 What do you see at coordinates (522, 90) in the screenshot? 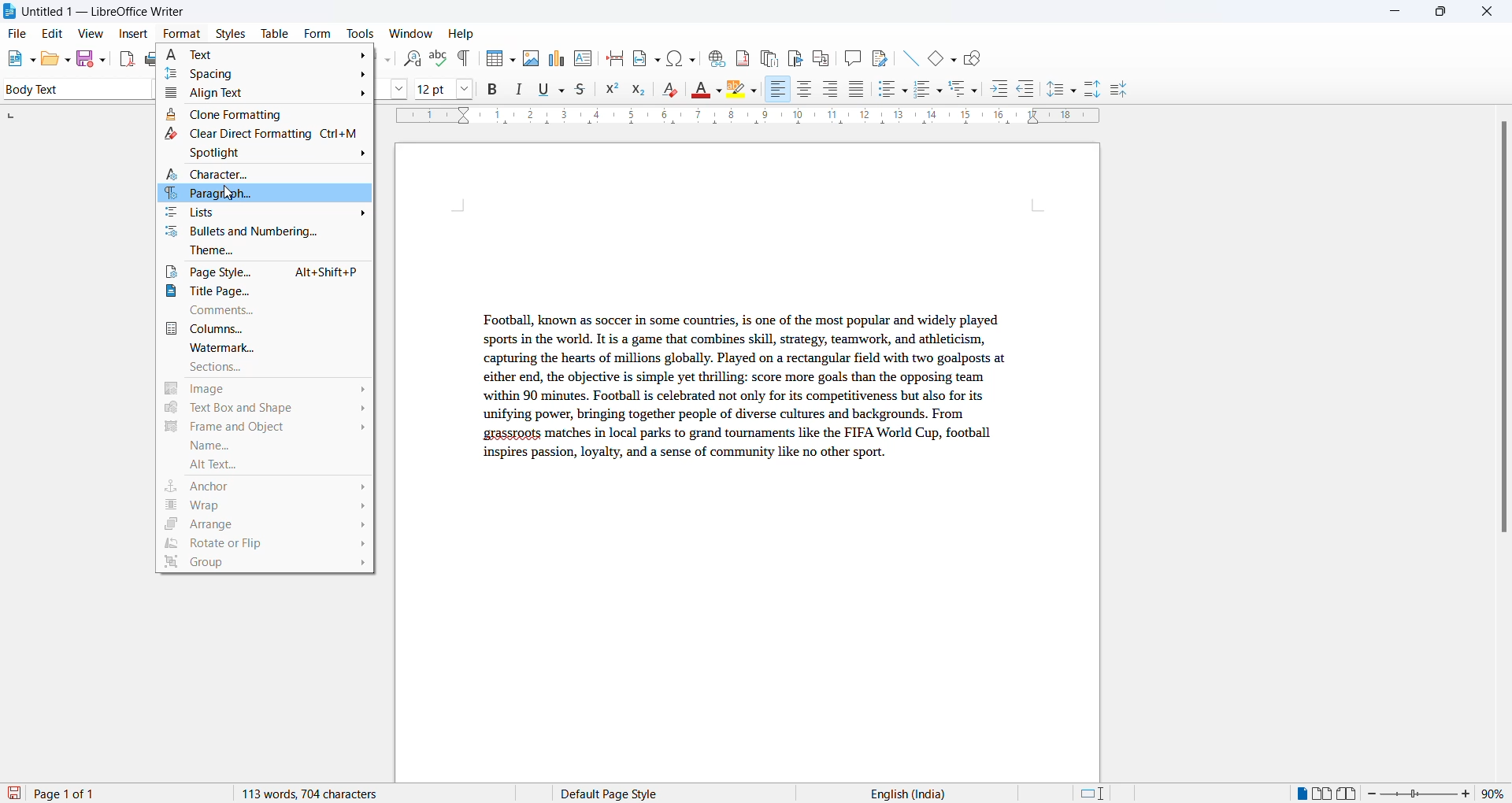
I see `italic` at bounding box center [522, 90].